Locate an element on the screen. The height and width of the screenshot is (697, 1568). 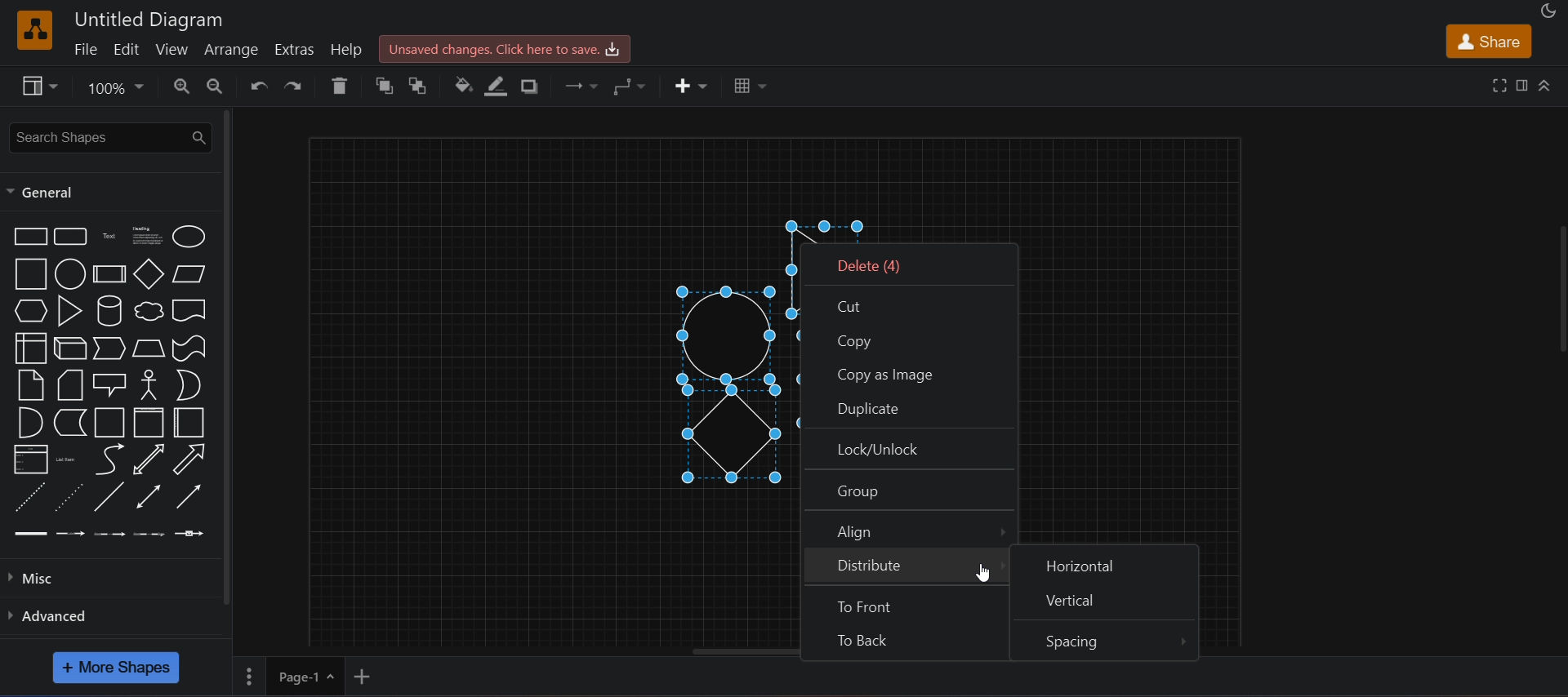
redo is located at coordinates (299, 86).